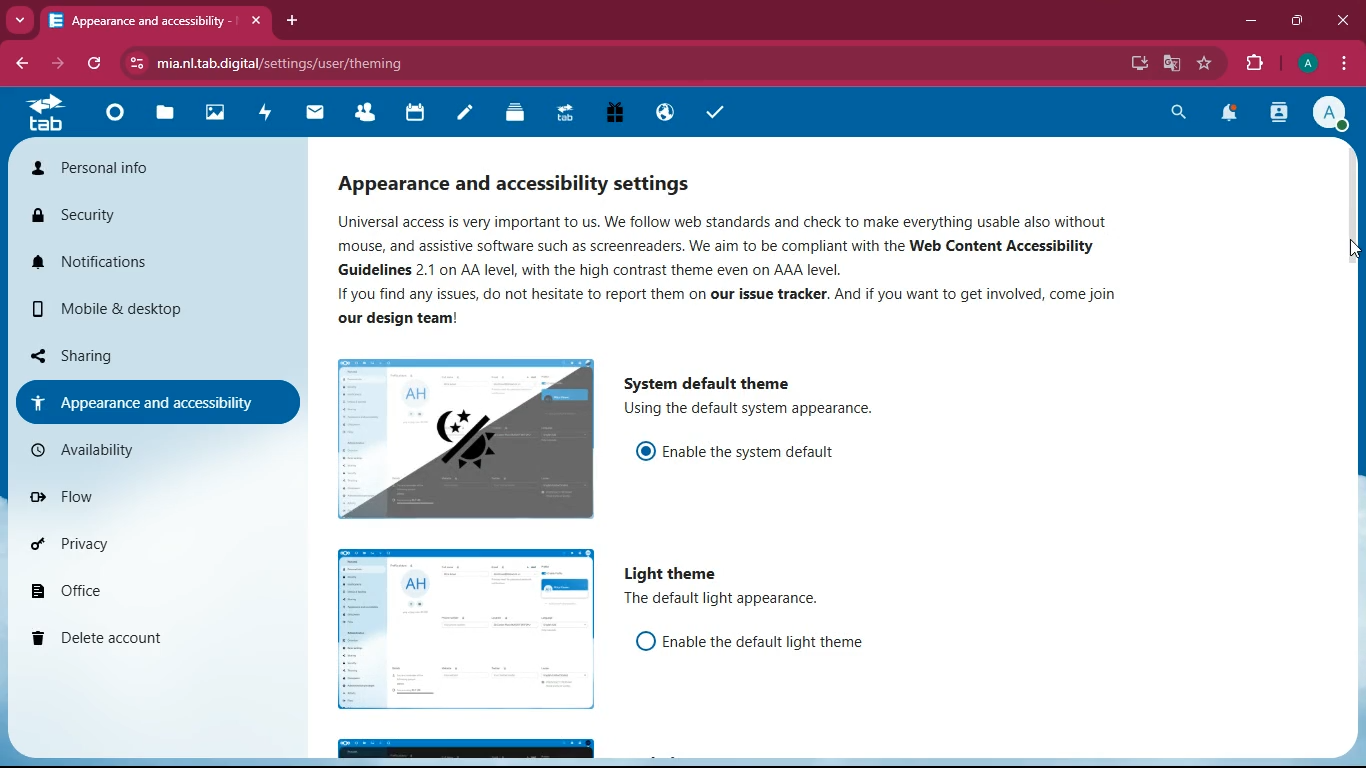 This screenshot has height=768, width=1366. I want to click on privacy, so click(153, 546).